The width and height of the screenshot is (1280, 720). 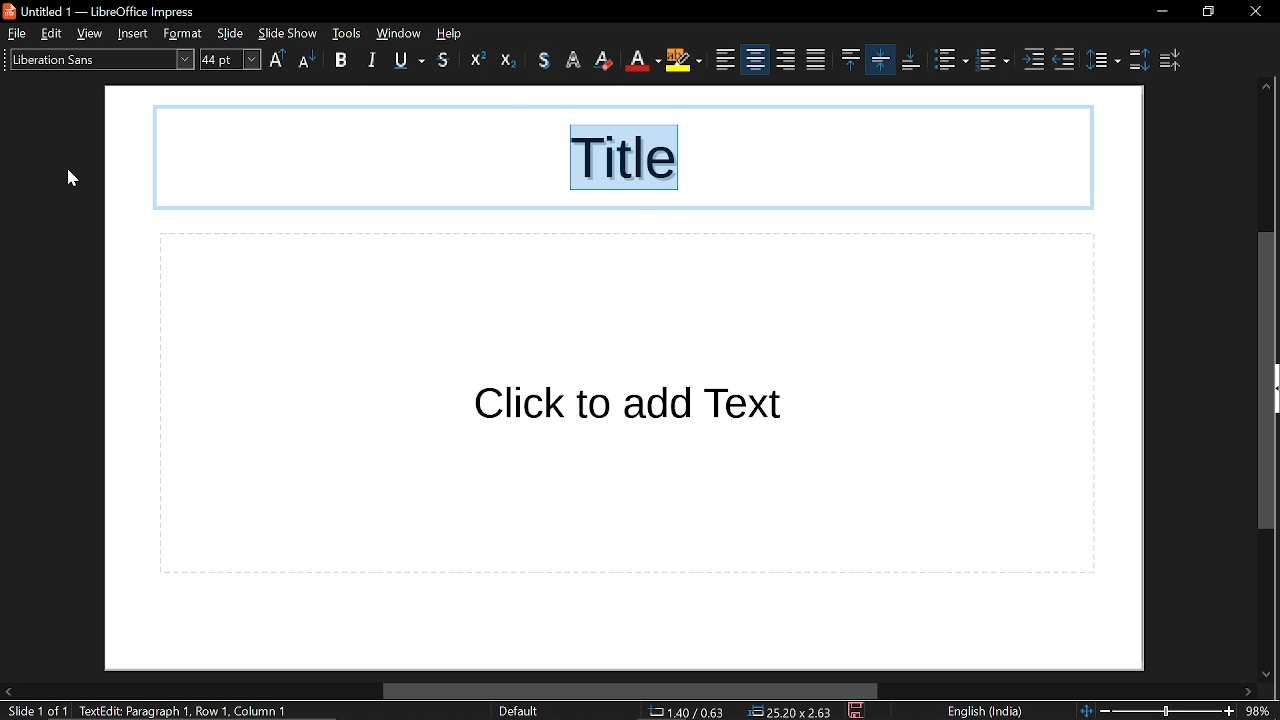 What do you see at coordinates (518, 711) in the screenshot?
I see `slide style` at bounding box center [518, 711].